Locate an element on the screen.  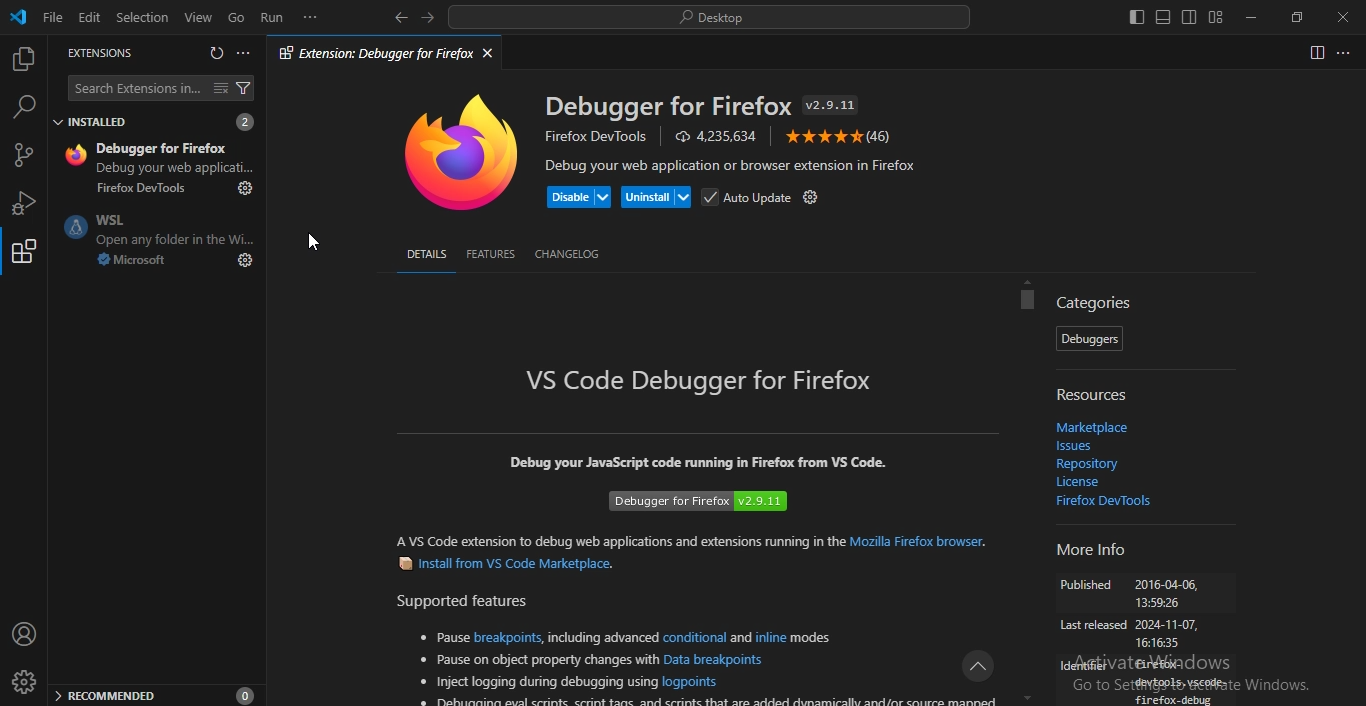
More Info Published 2016-04-06,135926 Last released 2024-11-07,16:1635 identifier firefox-devtools.vscode-firefox.debug is located at coordinates (1173, 622).